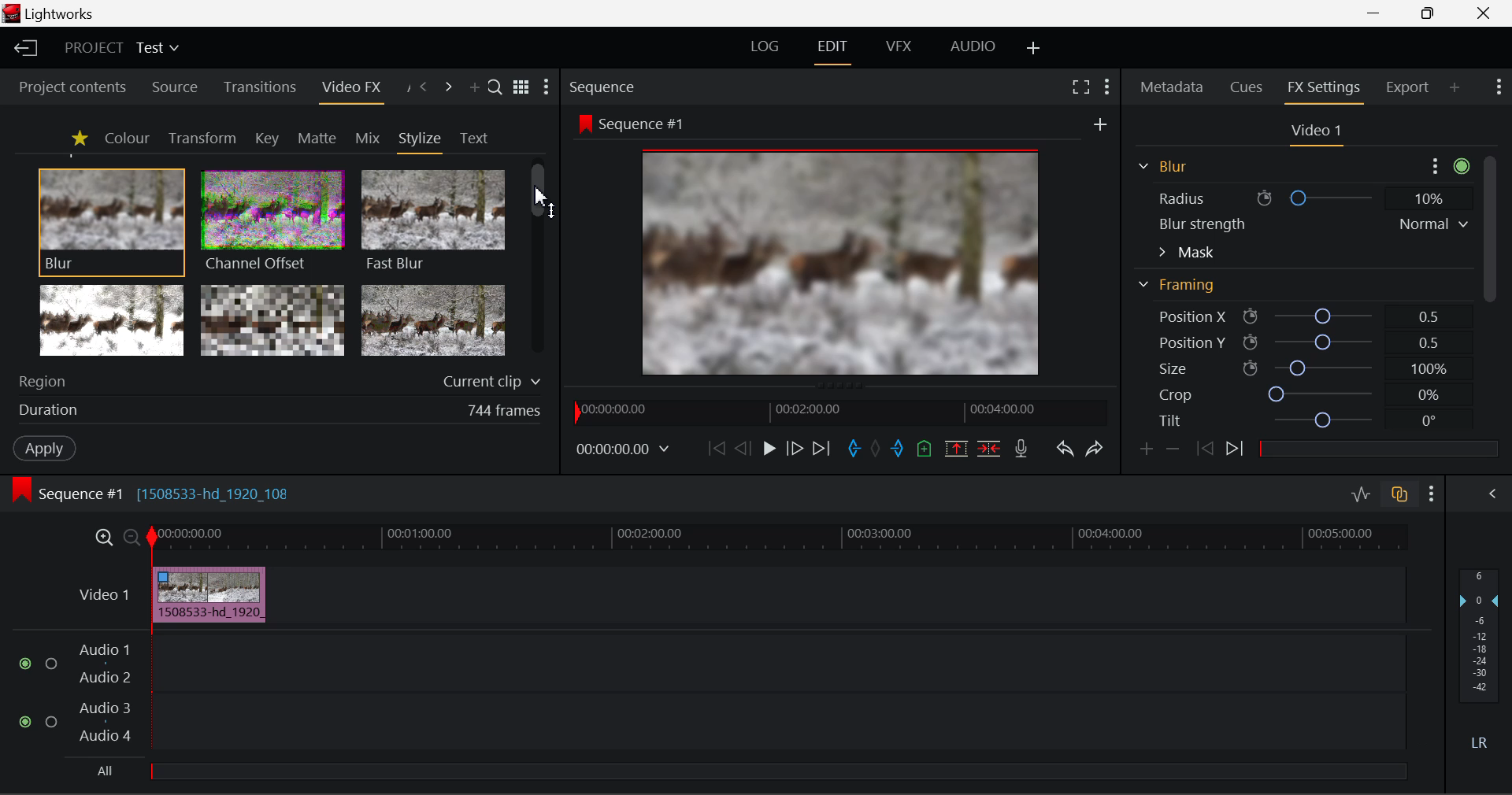 This screenshot has height=795, width=1512. Describe the element at coordinates (606, 86) in the screenshot. I see `Sequence Preview Section` at that location.